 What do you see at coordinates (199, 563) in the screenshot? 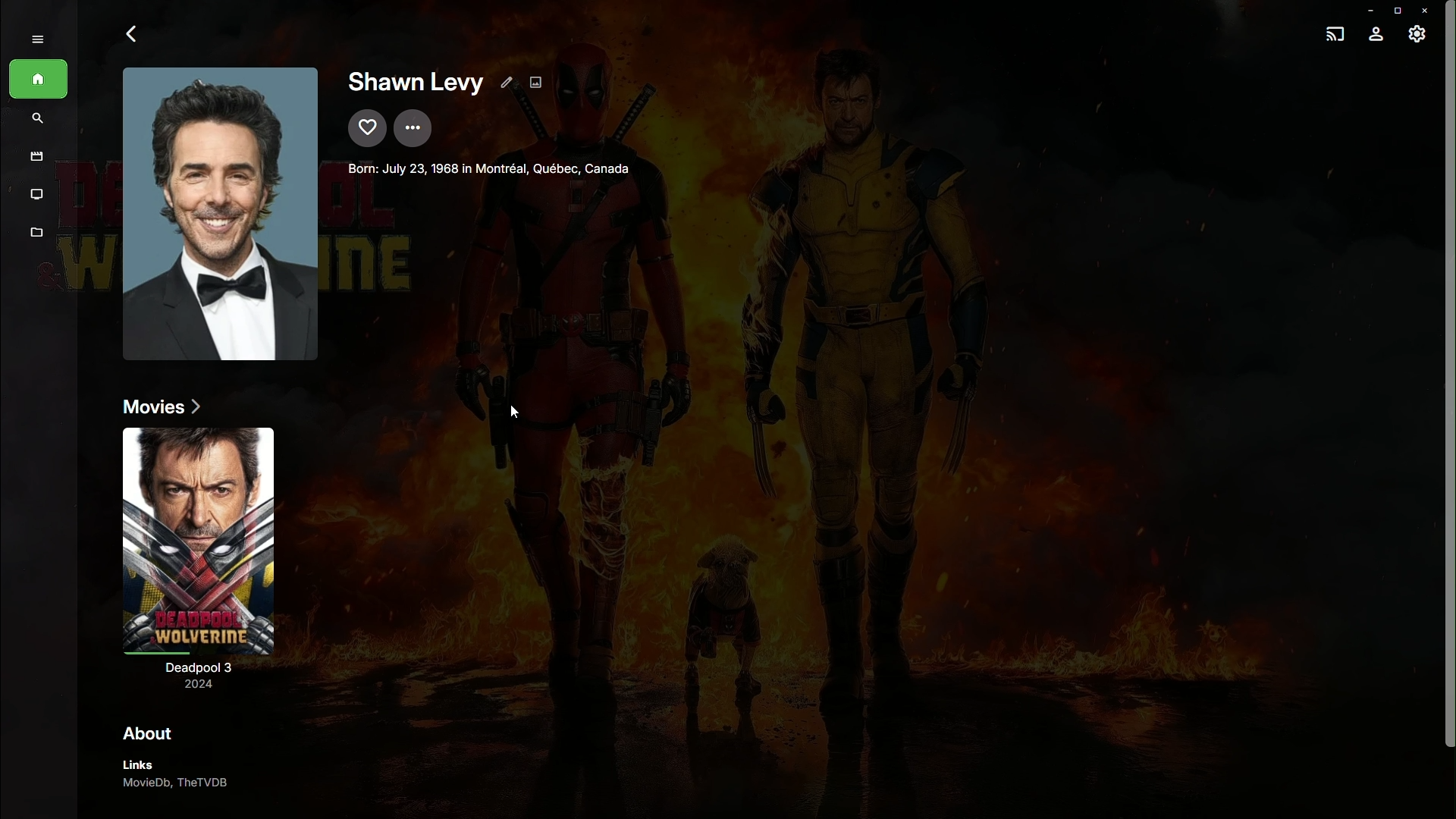
I see `Deadpool 3` at bounding box center [199, 563].